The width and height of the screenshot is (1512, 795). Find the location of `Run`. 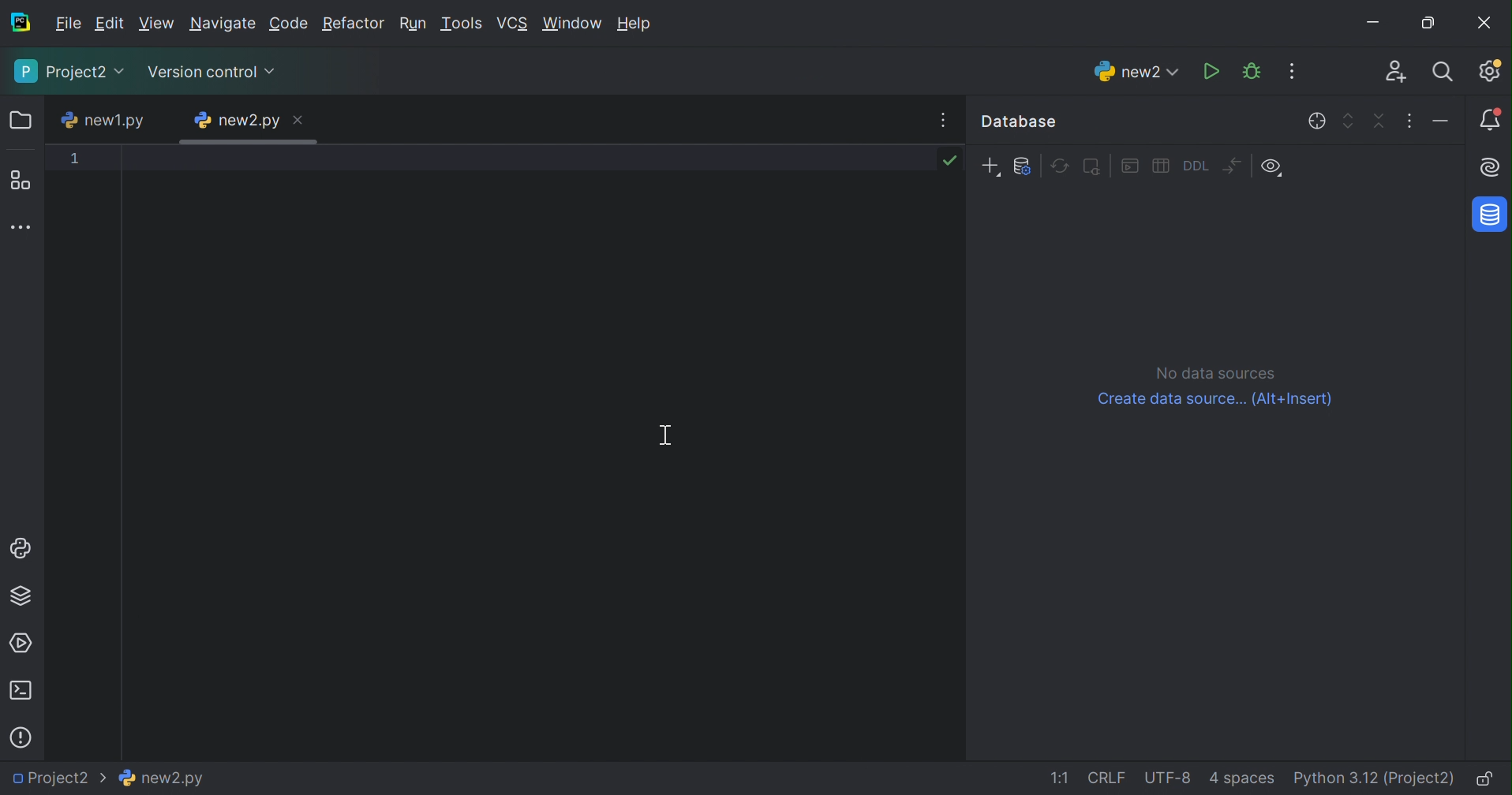

Run is located at coordinates (411, 21).